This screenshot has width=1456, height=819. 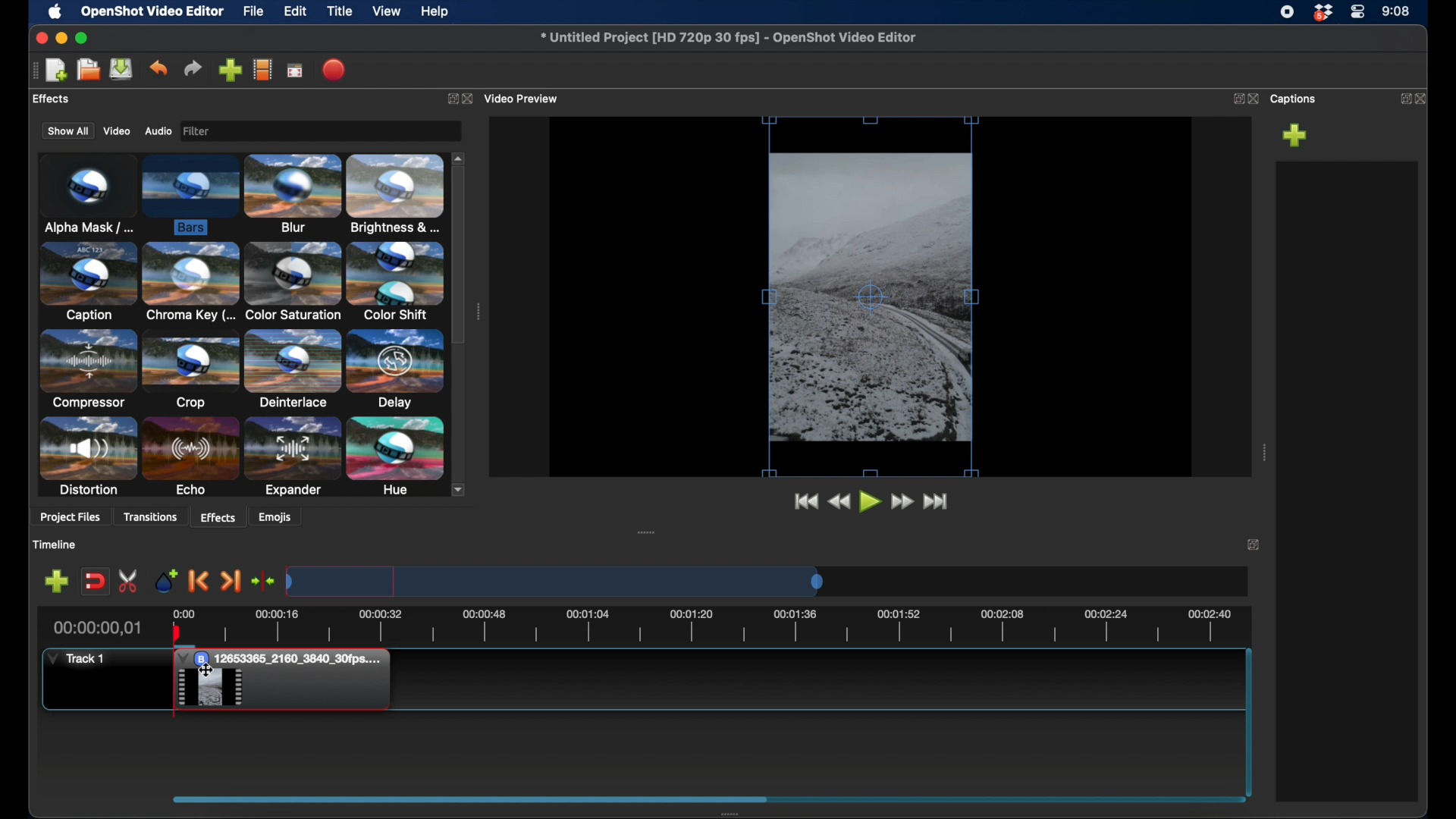 What do you see at coordinates (88, 282) in the screenshot?
I see `caption` at bounding box center [88, 282].